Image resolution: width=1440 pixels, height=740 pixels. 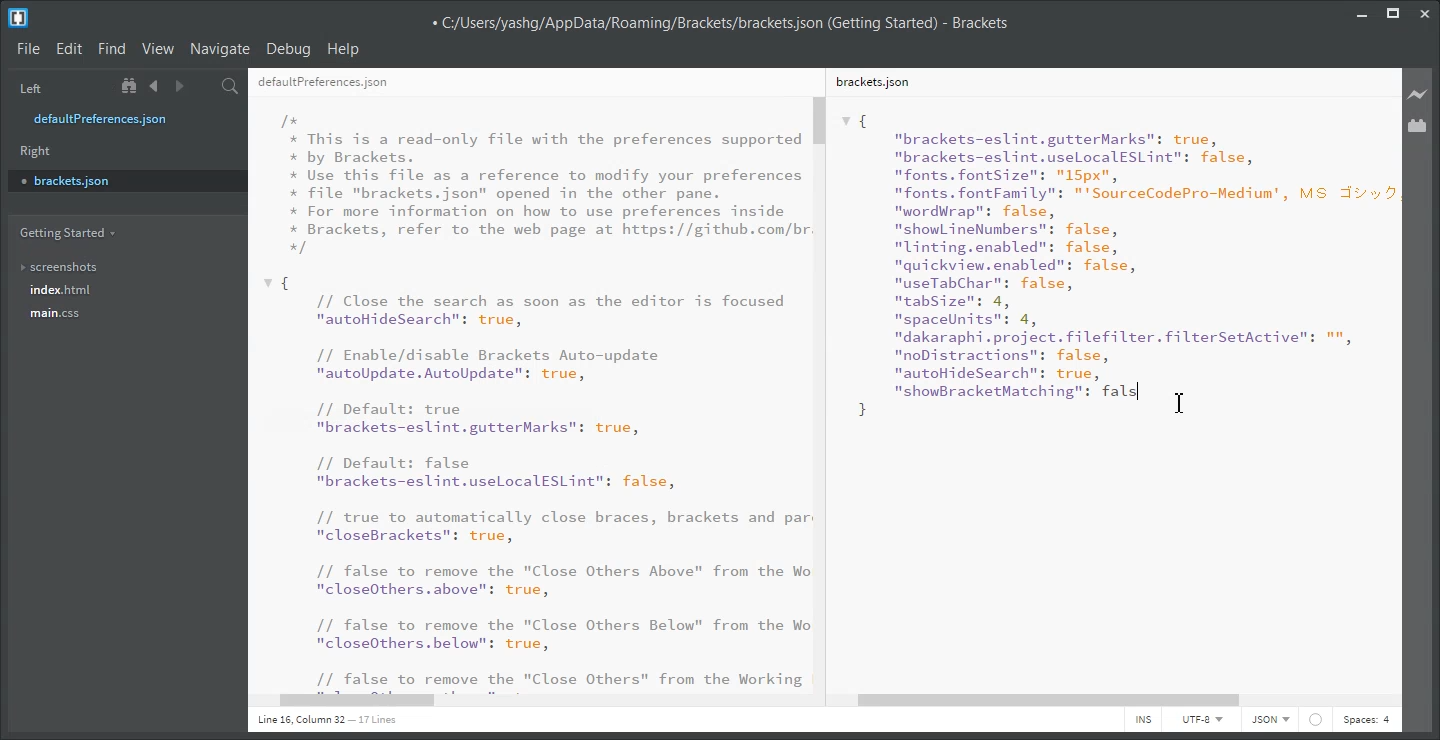 What do you see at coordinates (1271, 720) in the screenshot?
I see `JSON` at bounding box center [1271, 720].